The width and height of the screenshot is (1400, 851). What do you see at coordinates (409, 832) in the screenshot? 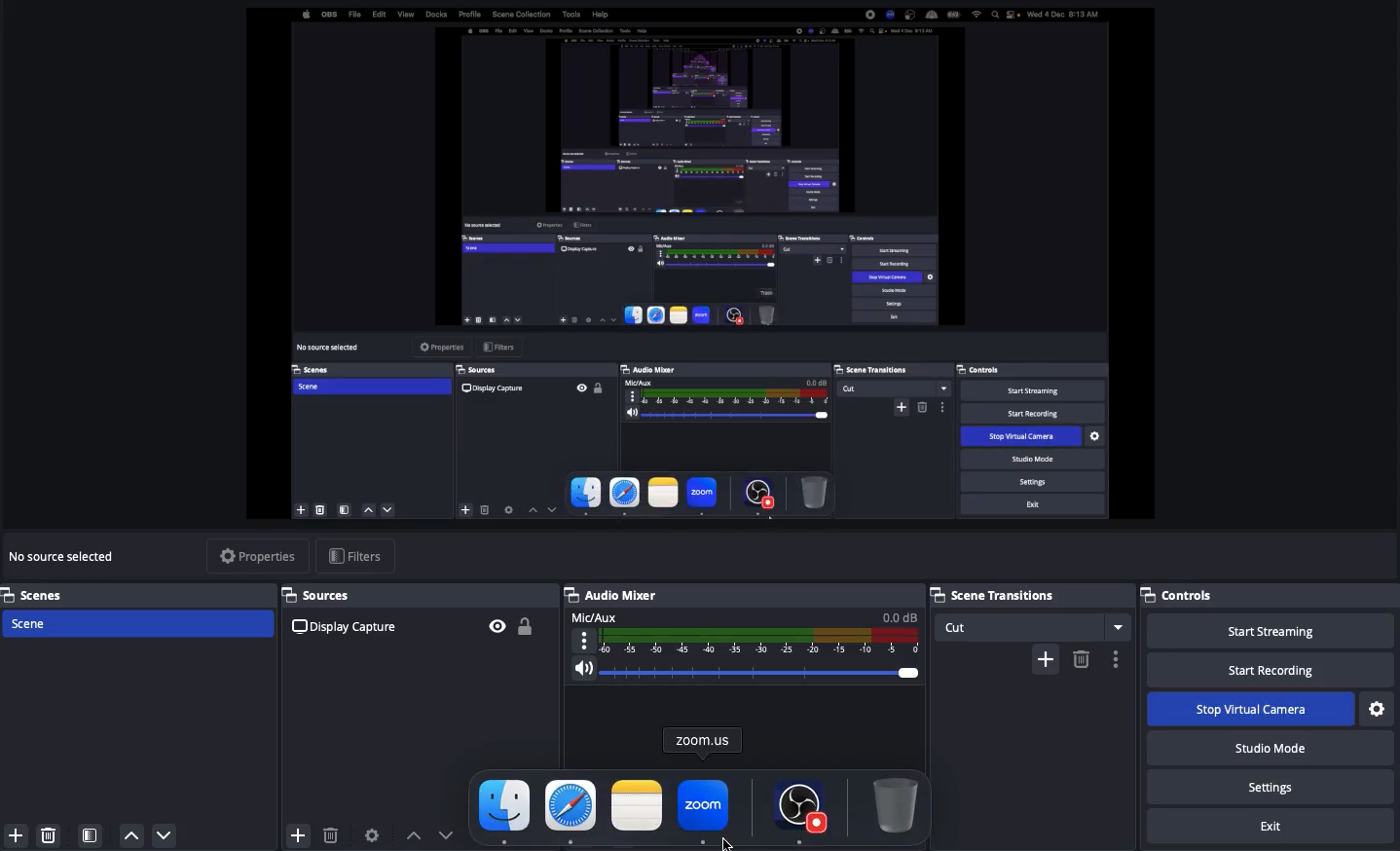
I see `move upward` at bounding box center [409, 832].